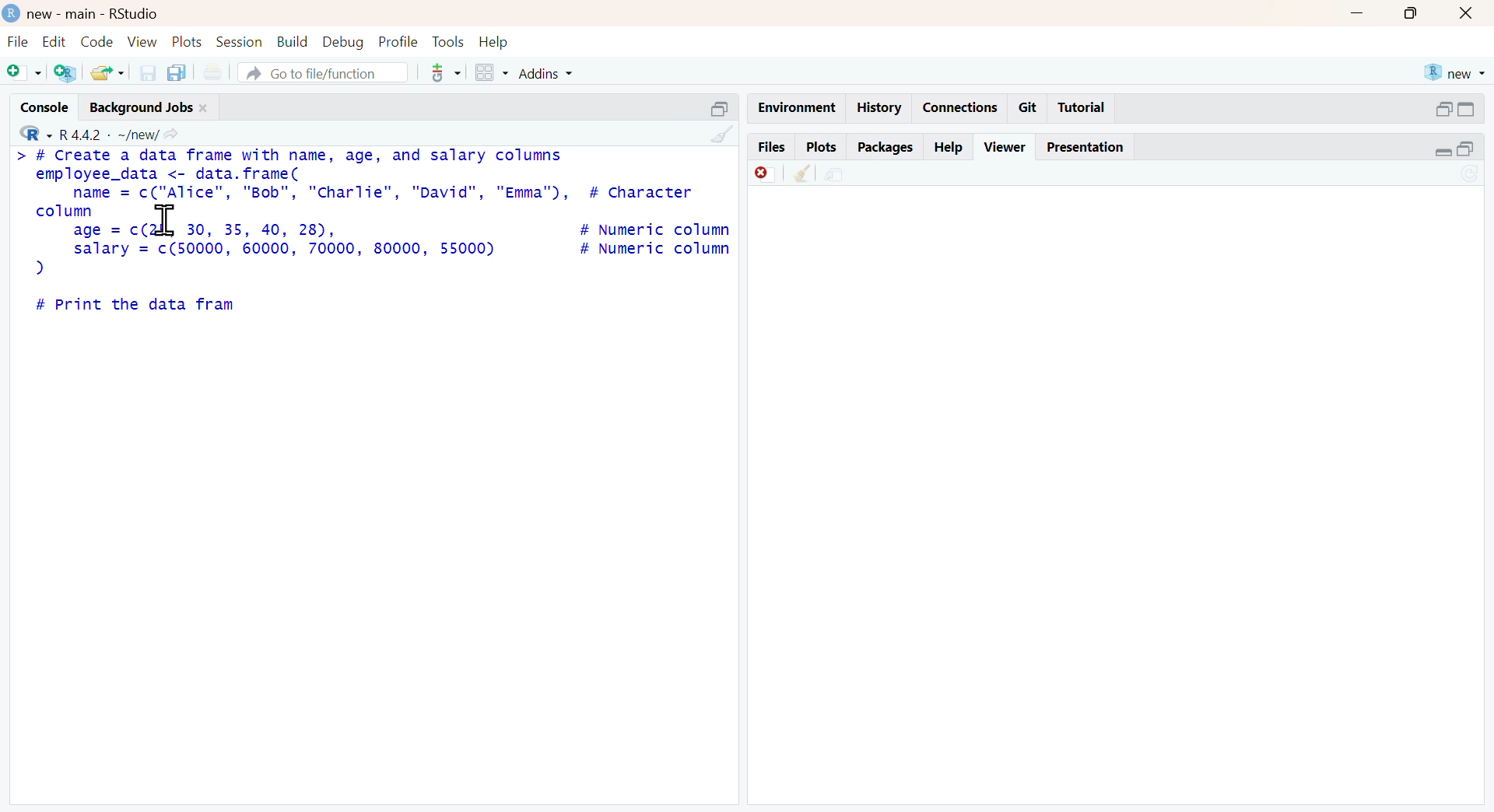 The width and height of the screenshot is (1494, 812). What do you see at coordinates (124, 133) in the screenshot?
I see `R442 - ~/new/` at bounding box center [124, 133].